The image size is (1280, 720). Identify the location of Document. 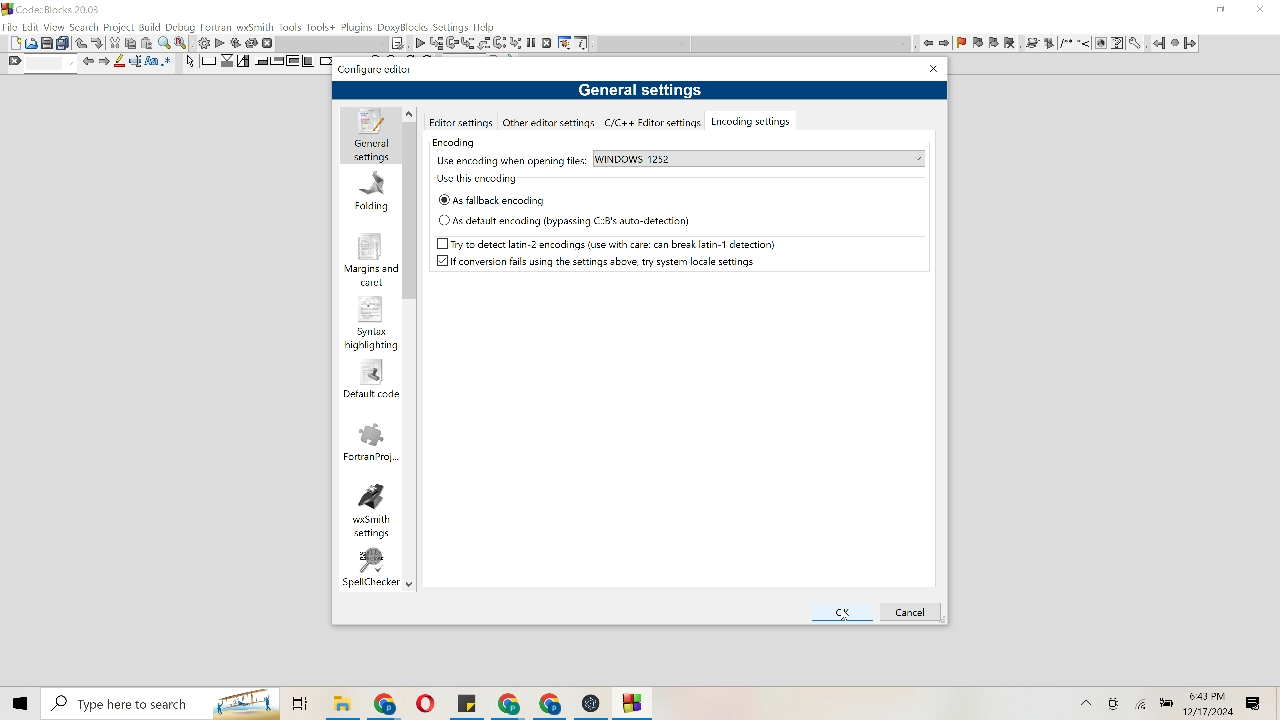
(13, 42).